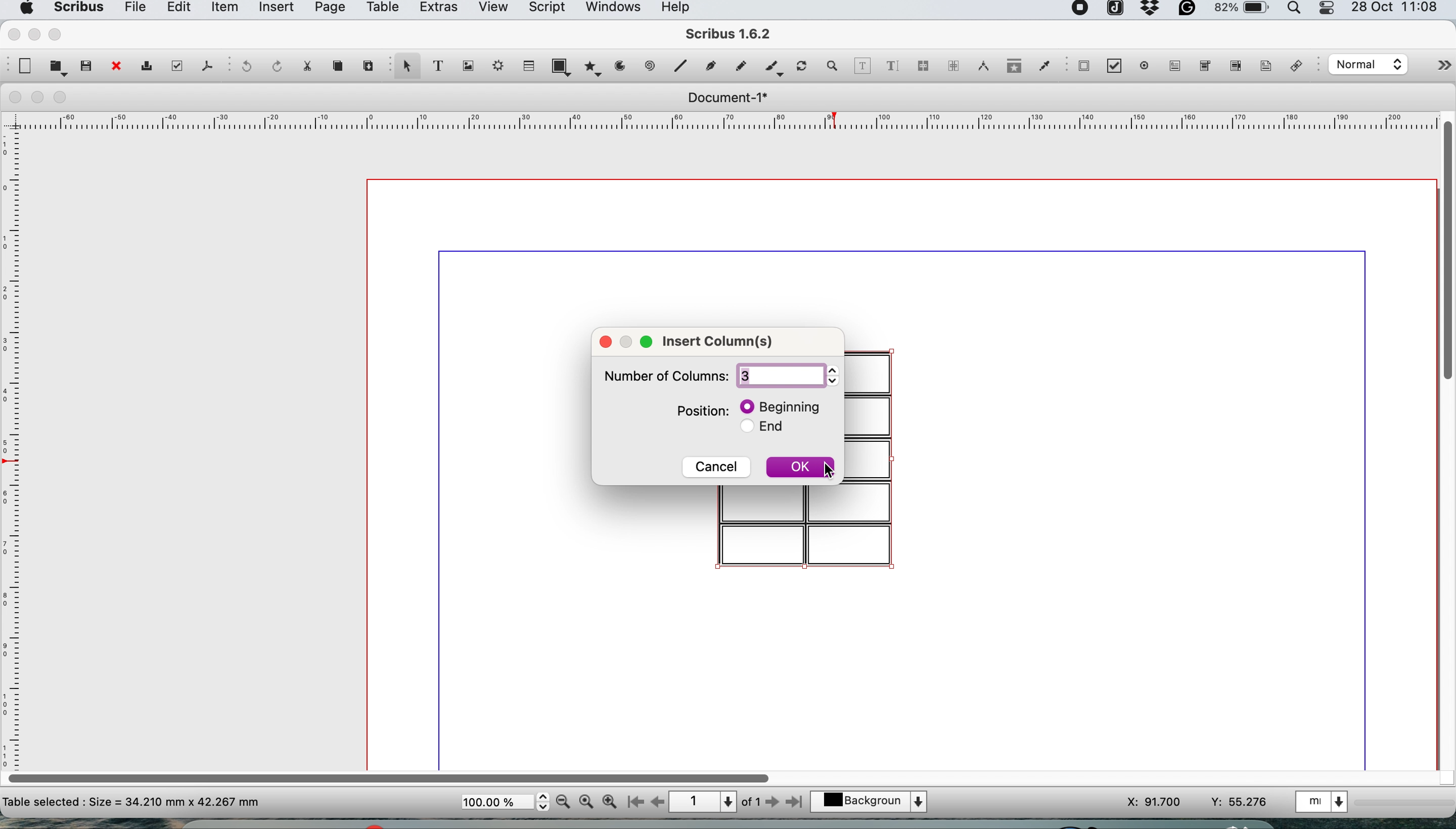 Image resolution: width=1456 pixels, height=829 pixels. Describe the element at coordinates (1203, 69) in the screenshot. I see `pdf combo box` at that location.